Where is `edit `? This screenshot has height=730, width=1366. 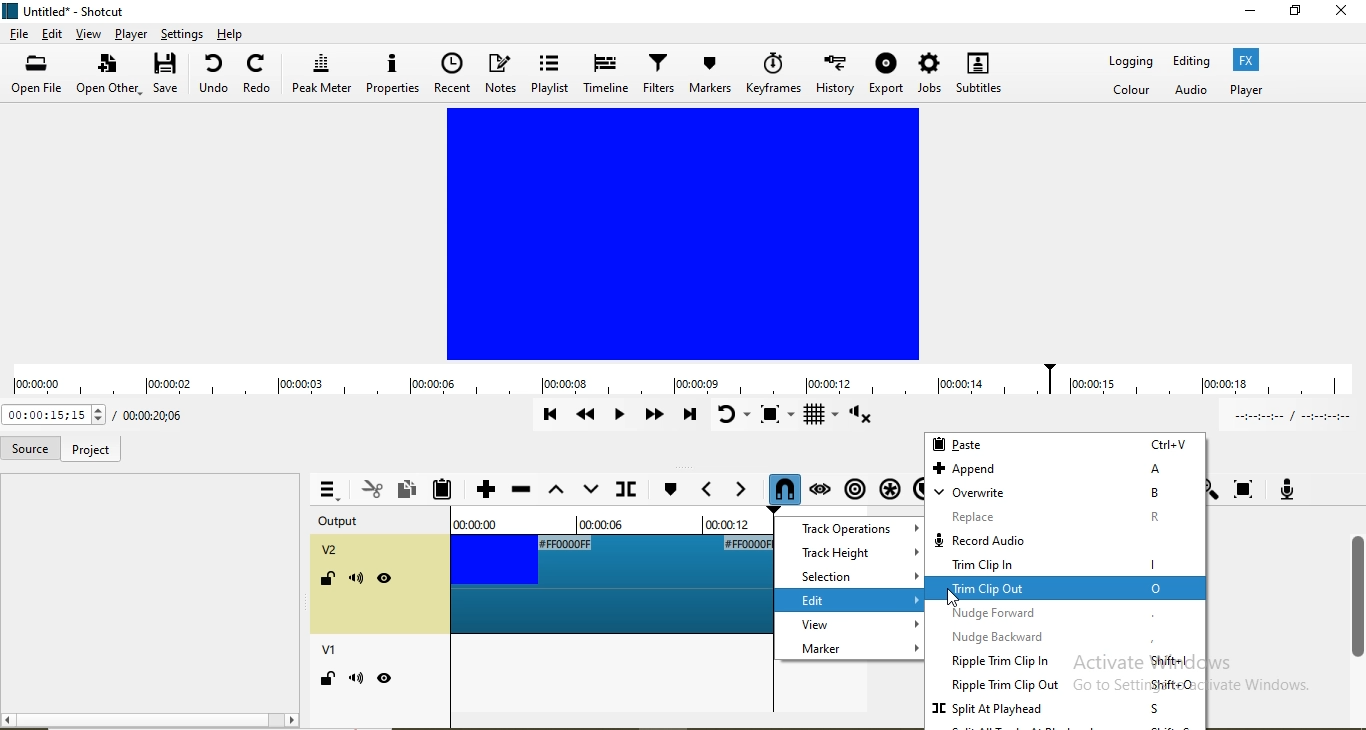 edit  is located at coordinates (53, 34).